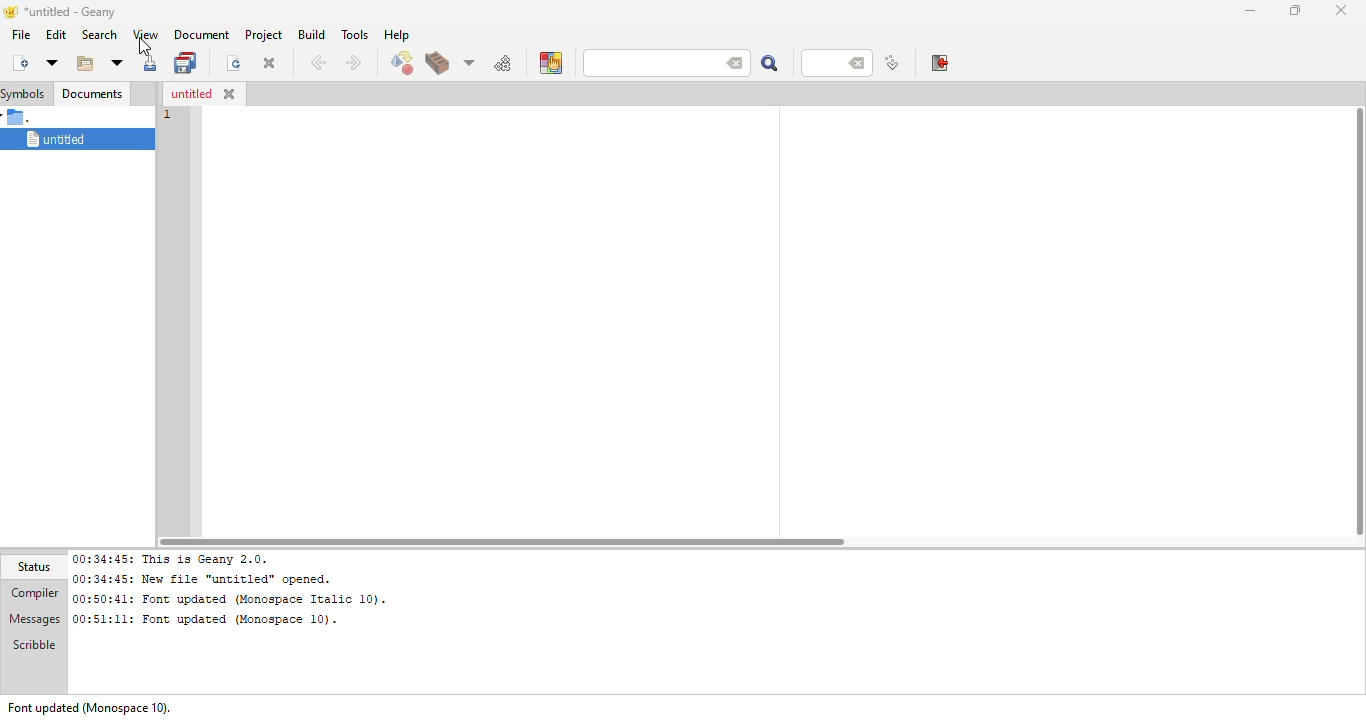  What do you see at coordinates (1342, 10) in the screenshot?
I see `close` at bounding box center [1342, 10].